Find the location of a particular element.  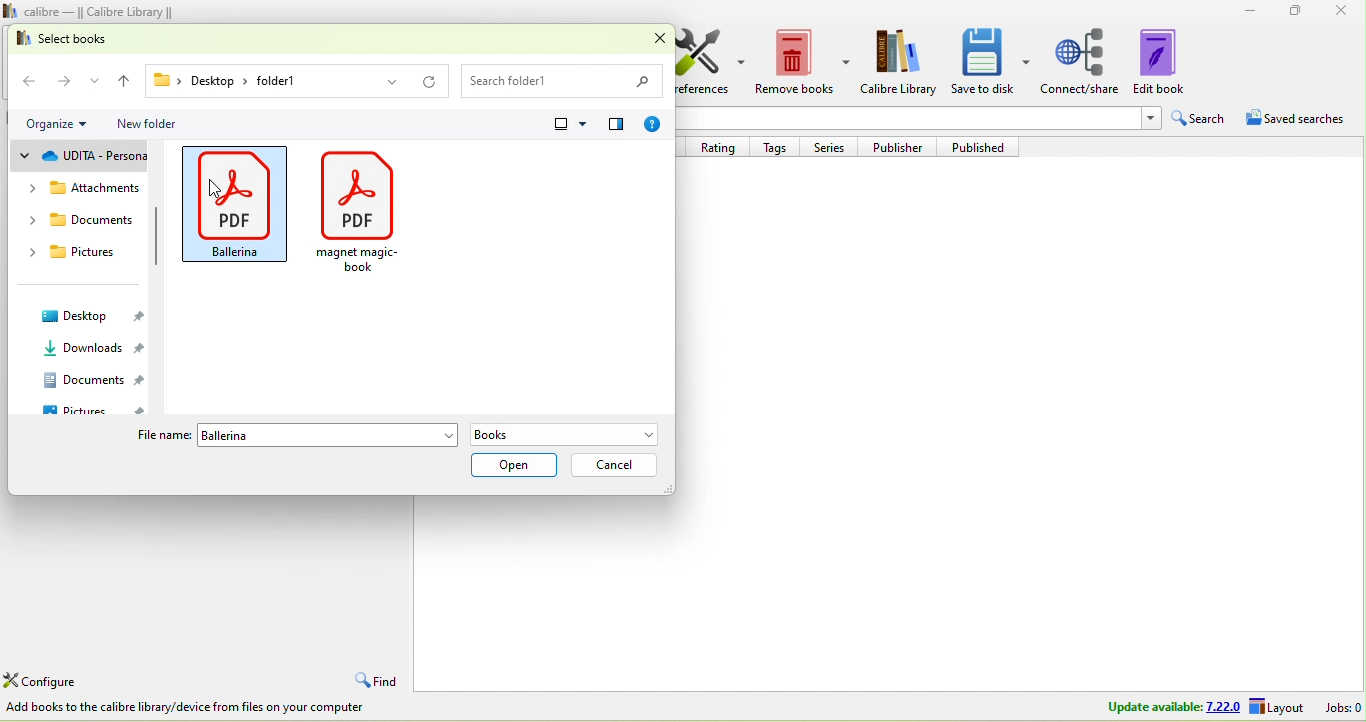

update available 7.22.0 is located at coordinates (1171, 707).